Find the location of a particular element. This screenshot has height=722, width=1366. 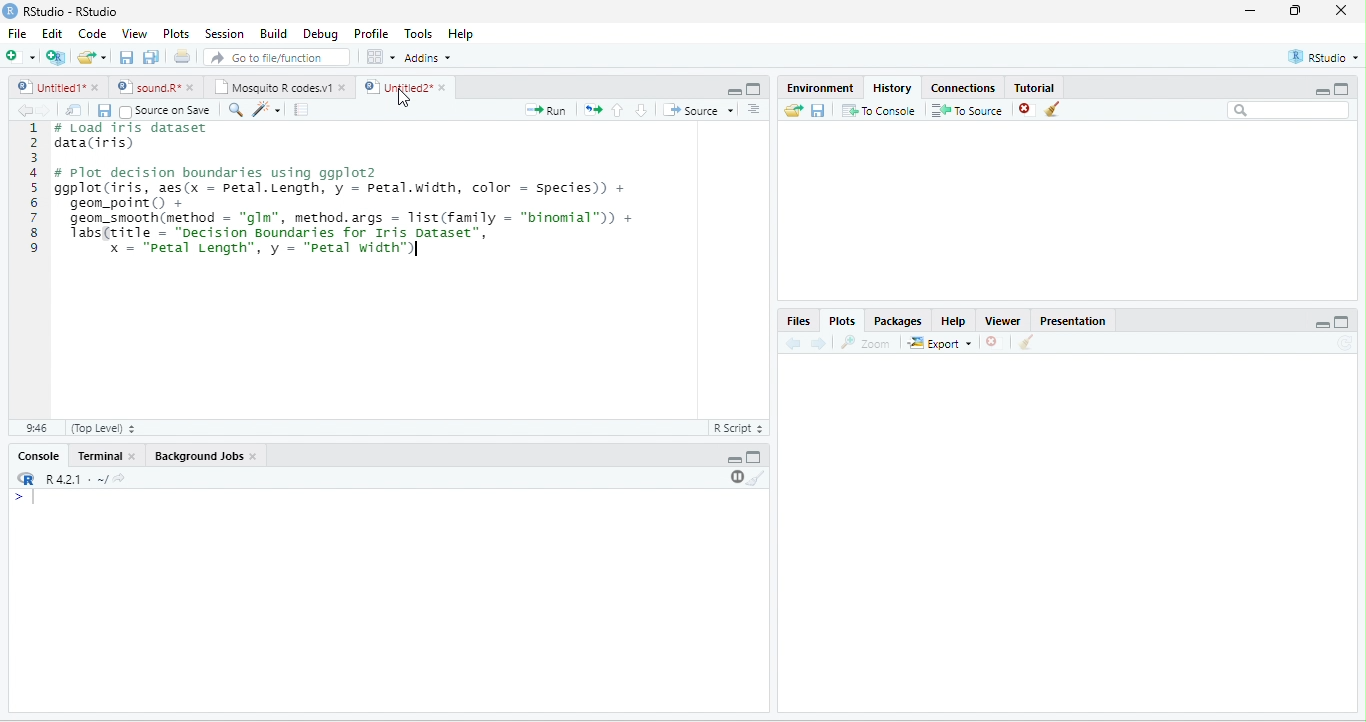

File is located at coordinates (17, 33).